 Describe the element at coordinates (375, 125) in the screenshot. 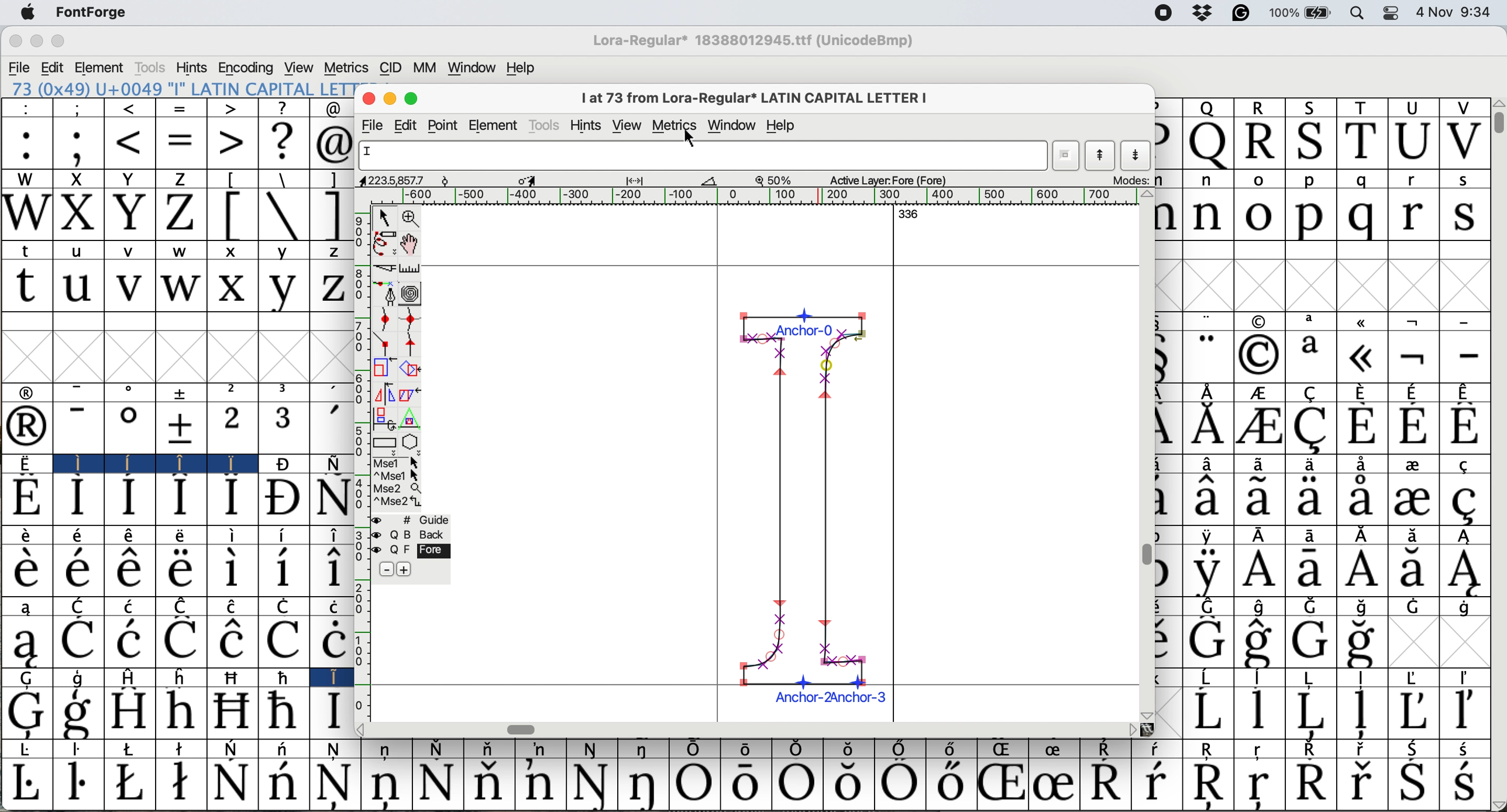

I see `file` at that location.